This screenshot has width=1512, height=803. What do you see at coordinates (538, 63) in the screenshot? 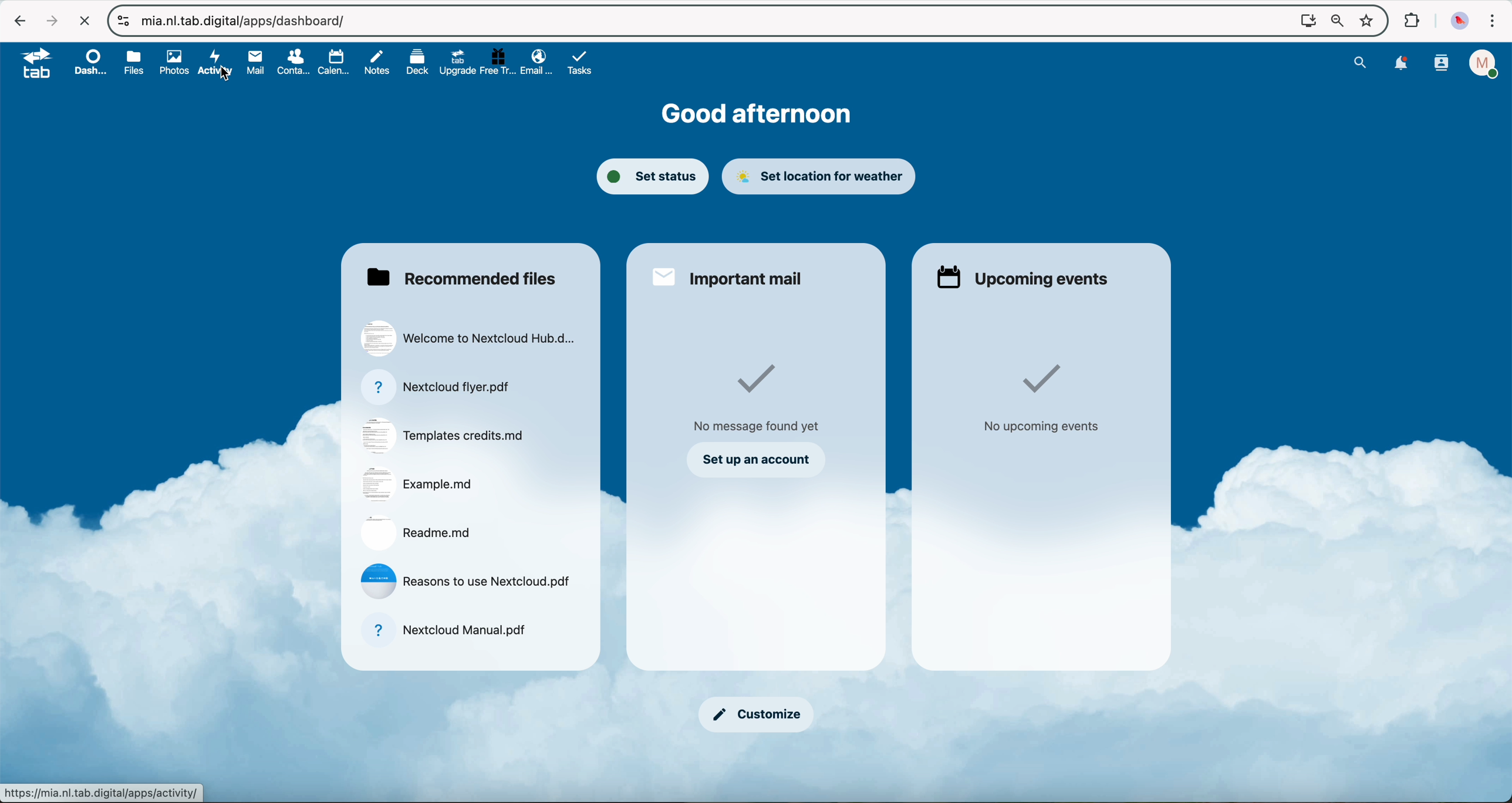
I see `email` at bounding box center [538, 63].